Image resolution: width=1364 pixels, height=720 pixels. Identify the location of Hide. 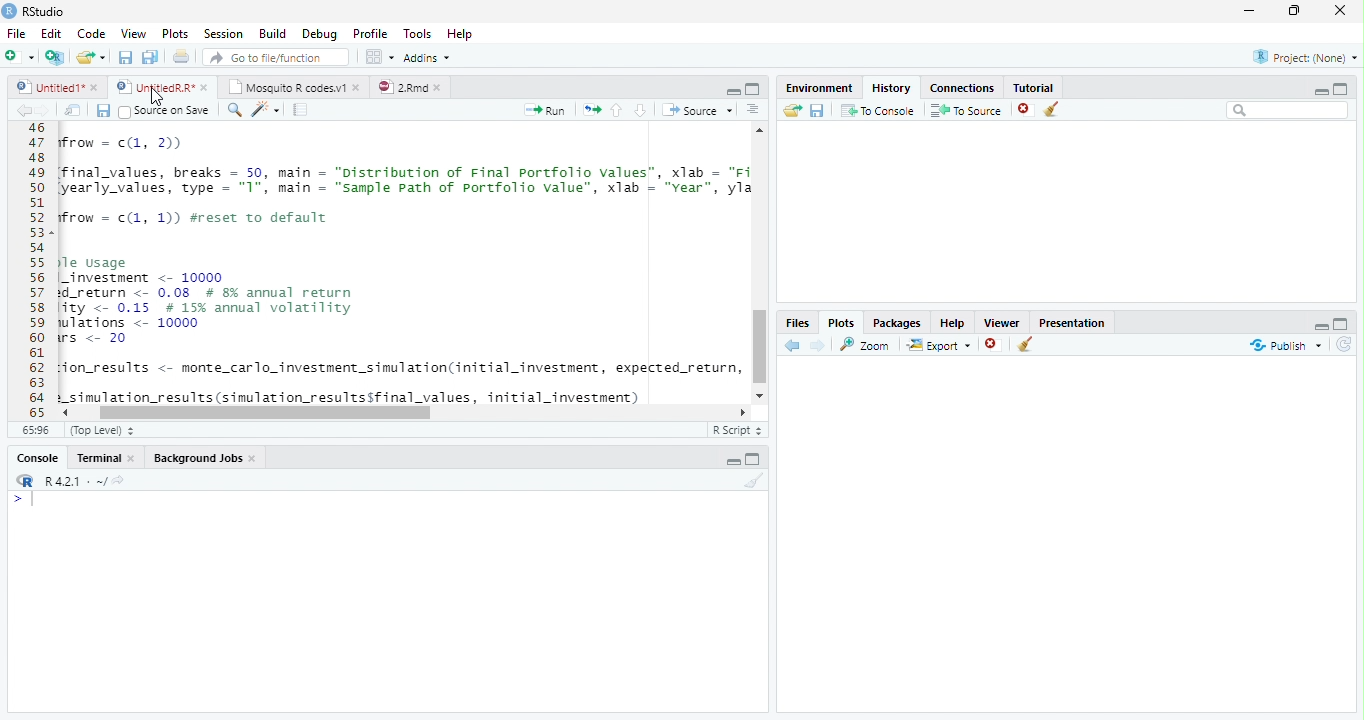
(1319, 324).